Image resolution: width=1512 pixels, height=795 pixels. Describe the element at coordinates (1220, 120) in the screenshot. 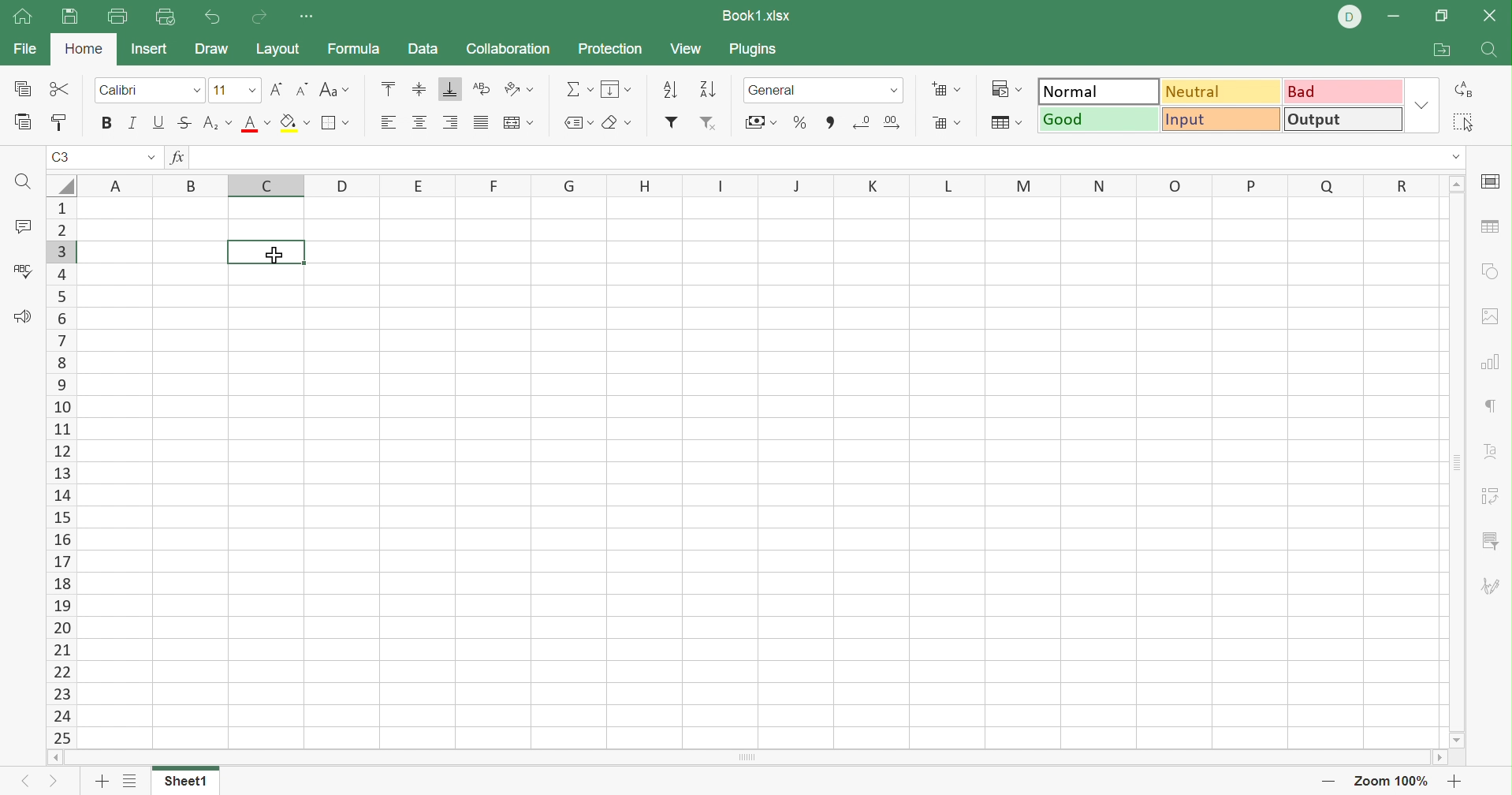

I see `Input` at that location.